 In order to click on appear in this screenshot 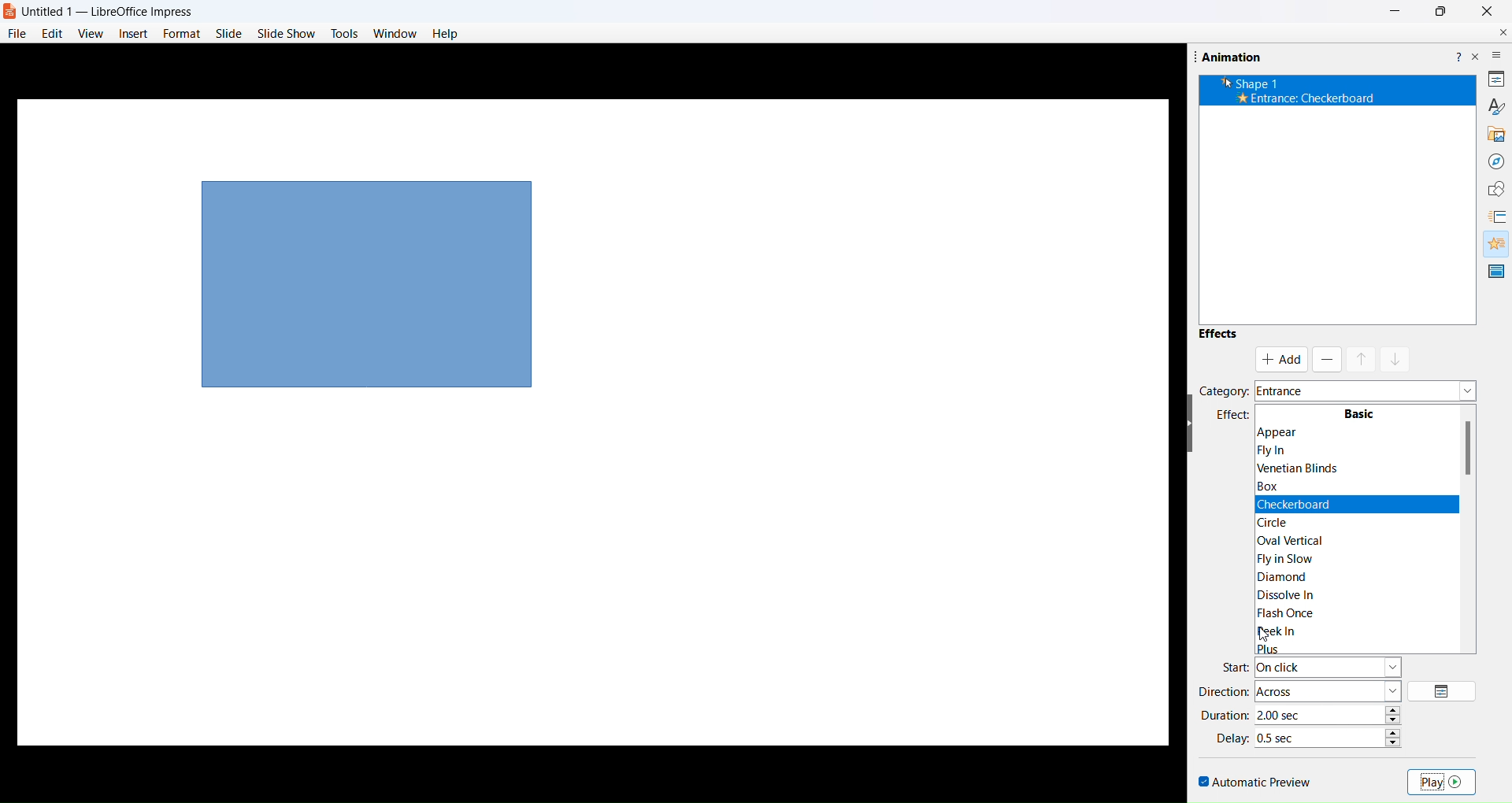, I will do `click(1351, 431)`.